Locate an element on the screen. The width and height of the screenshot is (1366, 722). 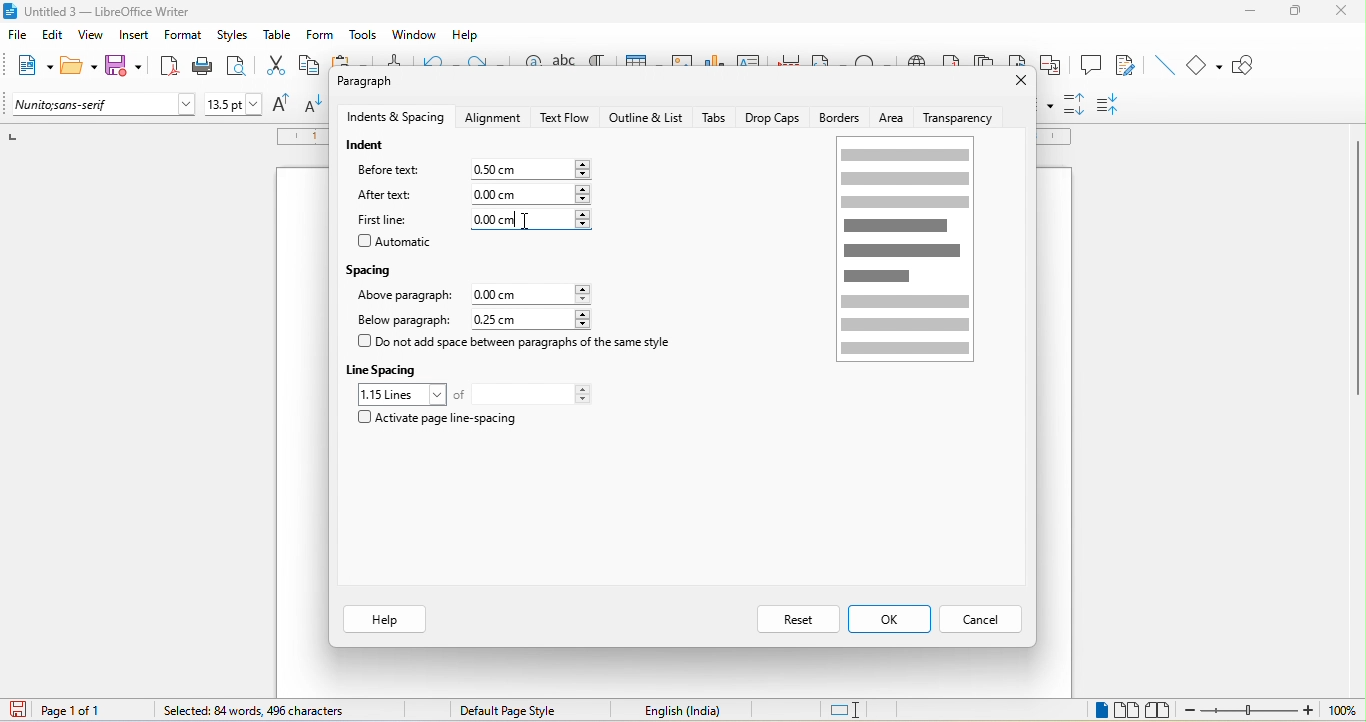
font name is located at coordinates (105, 105).